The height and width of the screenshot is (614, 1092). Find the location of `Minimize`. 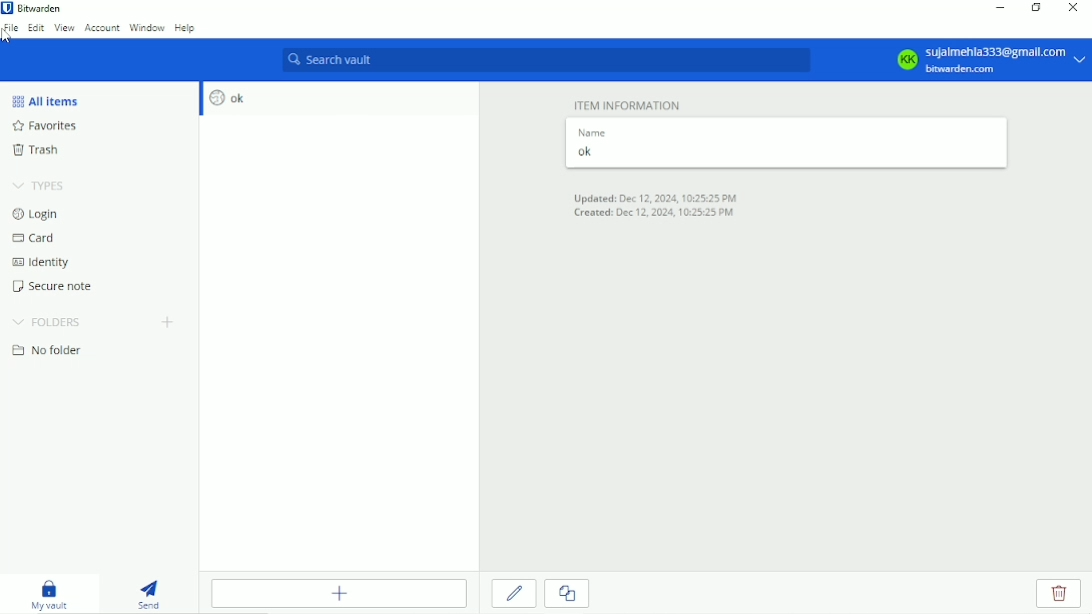

Minimize is located at coordinates (997, 8).